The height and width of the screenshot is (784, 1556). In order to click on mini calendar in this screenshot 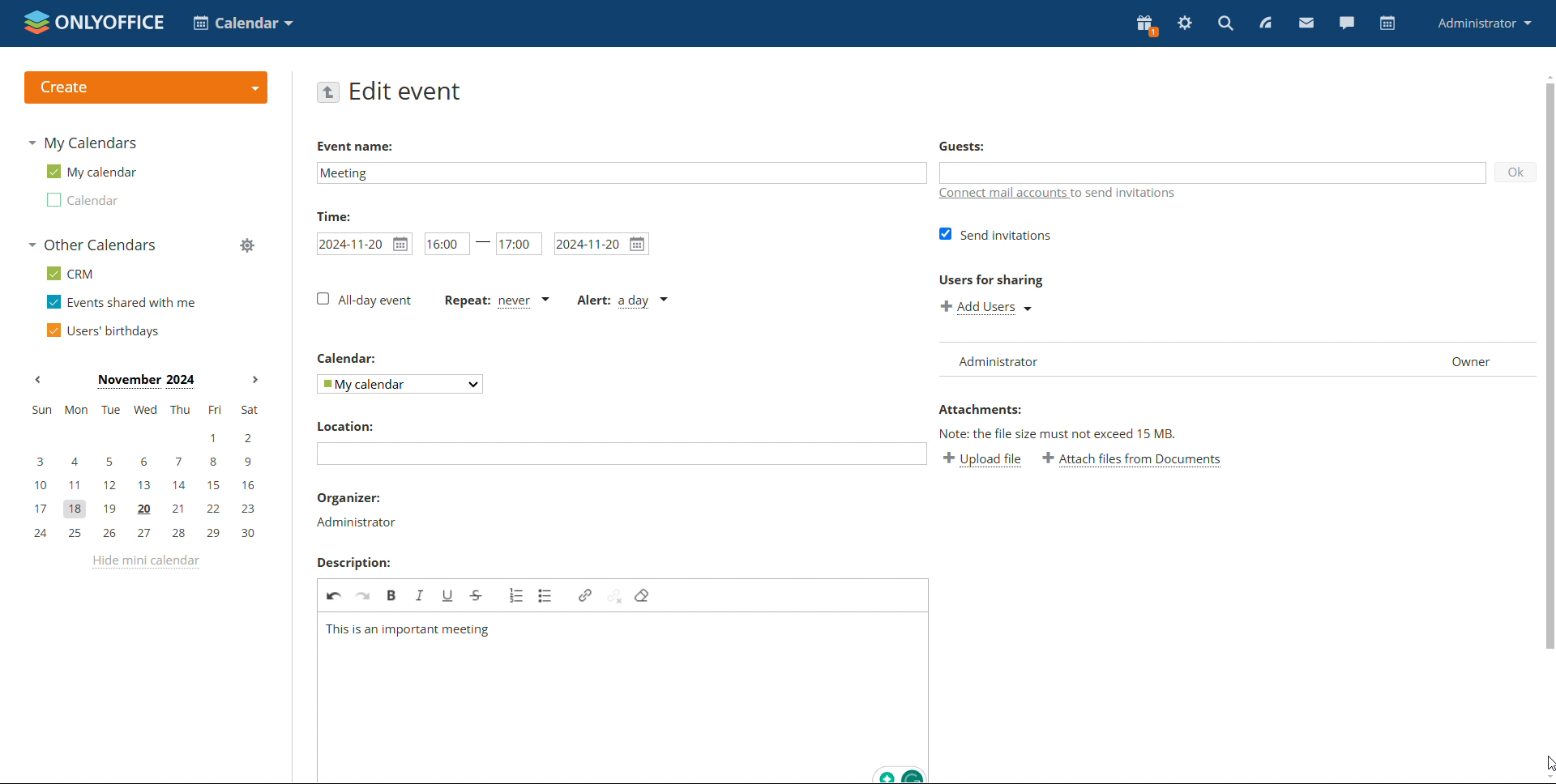, I will do `click(145, 472)`.